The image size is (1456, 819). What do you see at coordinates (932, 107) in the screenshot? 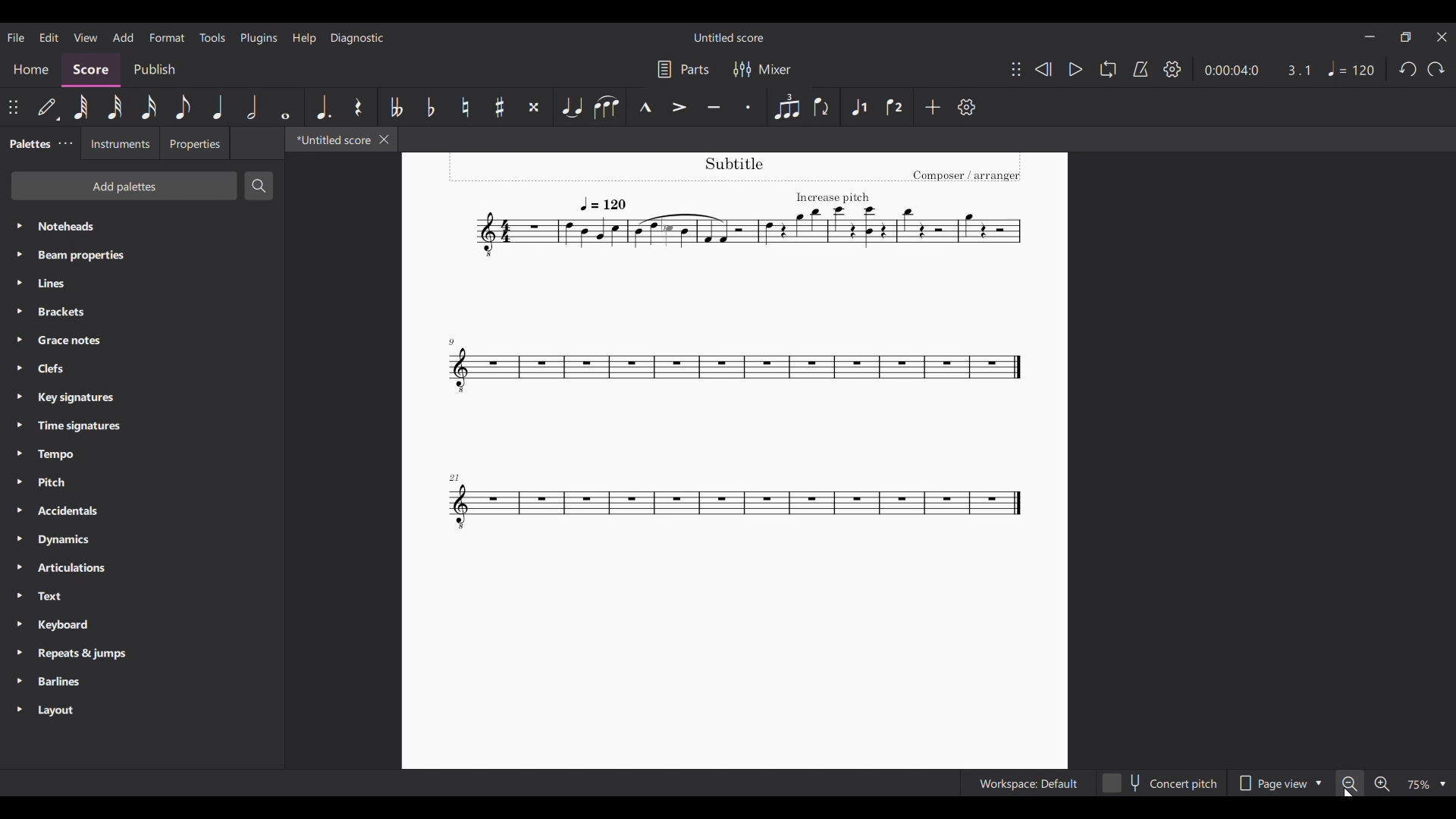
I see `Add` at bounding box center [932, 107].